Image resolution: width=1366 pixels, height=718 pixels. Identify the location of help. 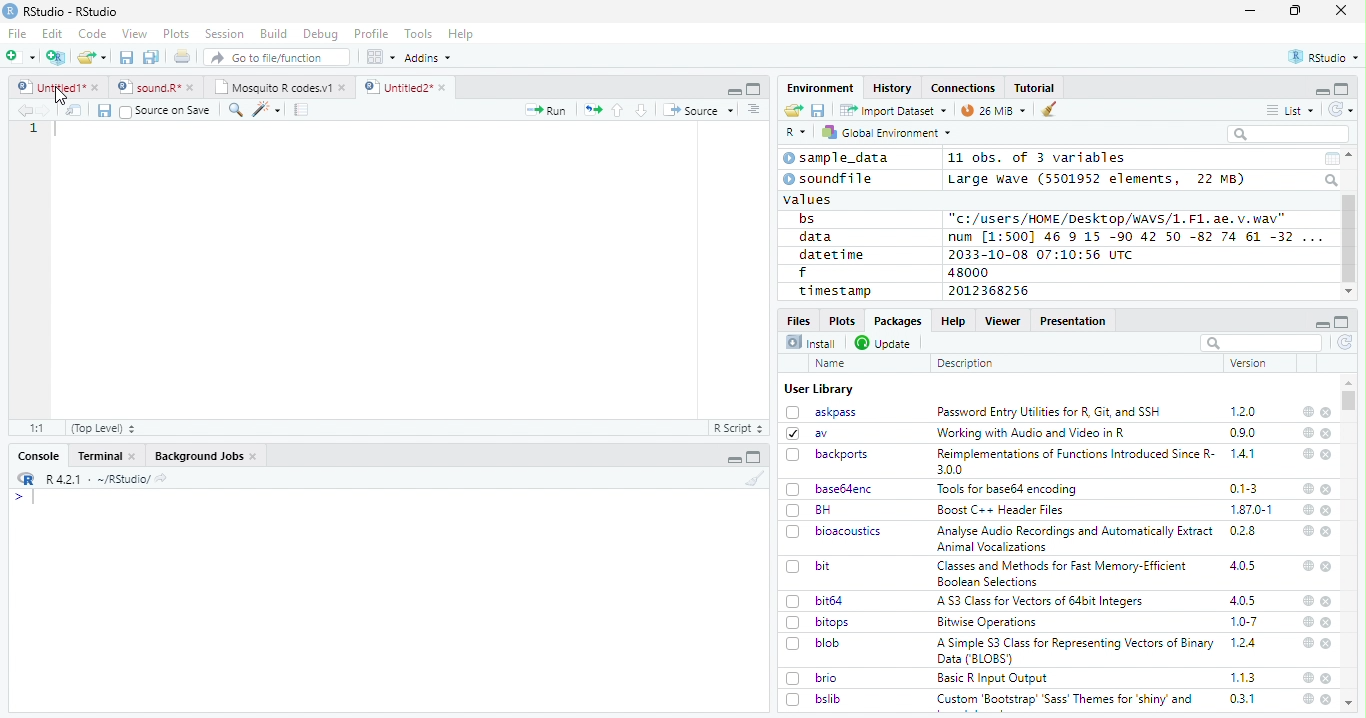
(1306, 642).